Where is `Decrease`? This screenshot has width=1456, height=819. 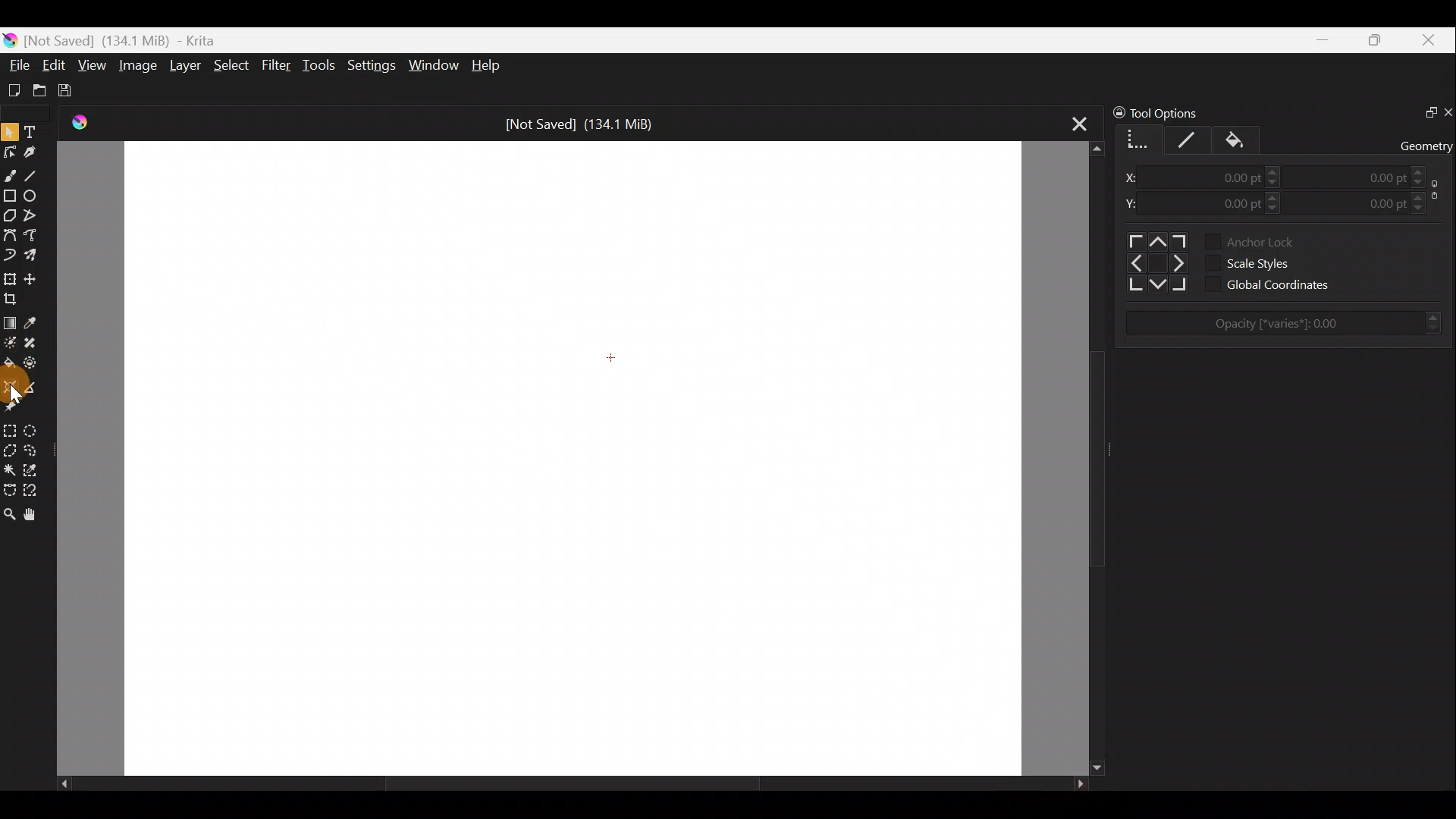
Decrease is located at coordinates (1423, 181).